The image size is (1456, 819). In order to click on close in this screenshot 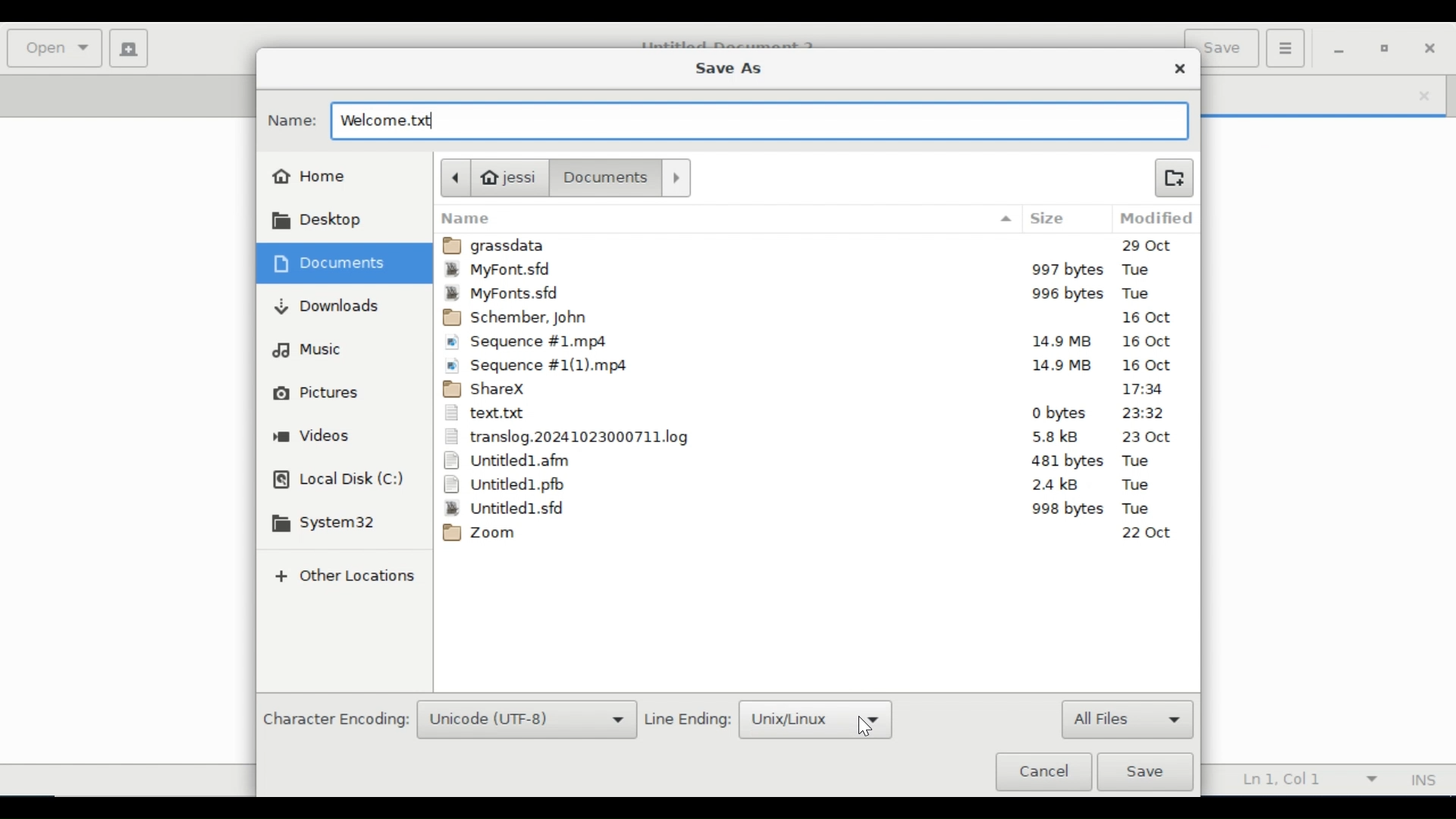, I will do `click(1423, 95)`.